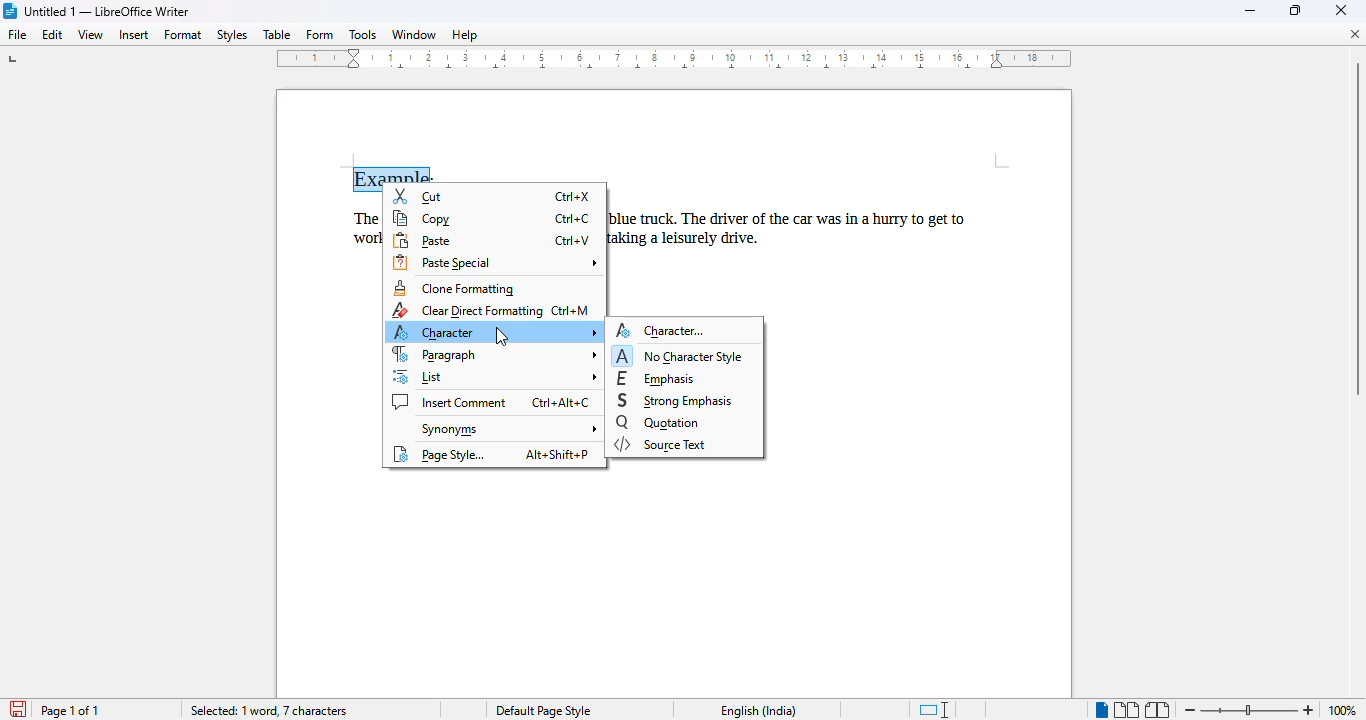  What do you see at coordinates (495, 377) in the screenshot?
I see `list` at bounding box center [495, 377].